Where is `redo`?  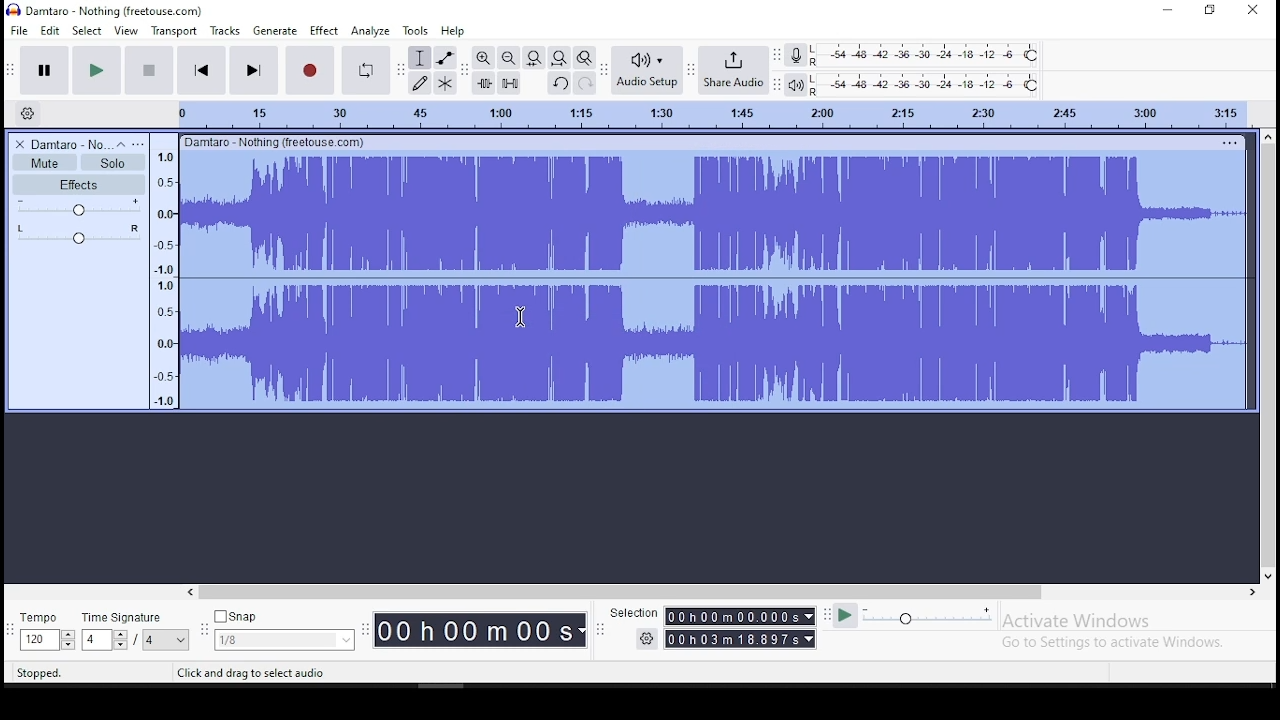 redo is located at coordinates (587, 84).